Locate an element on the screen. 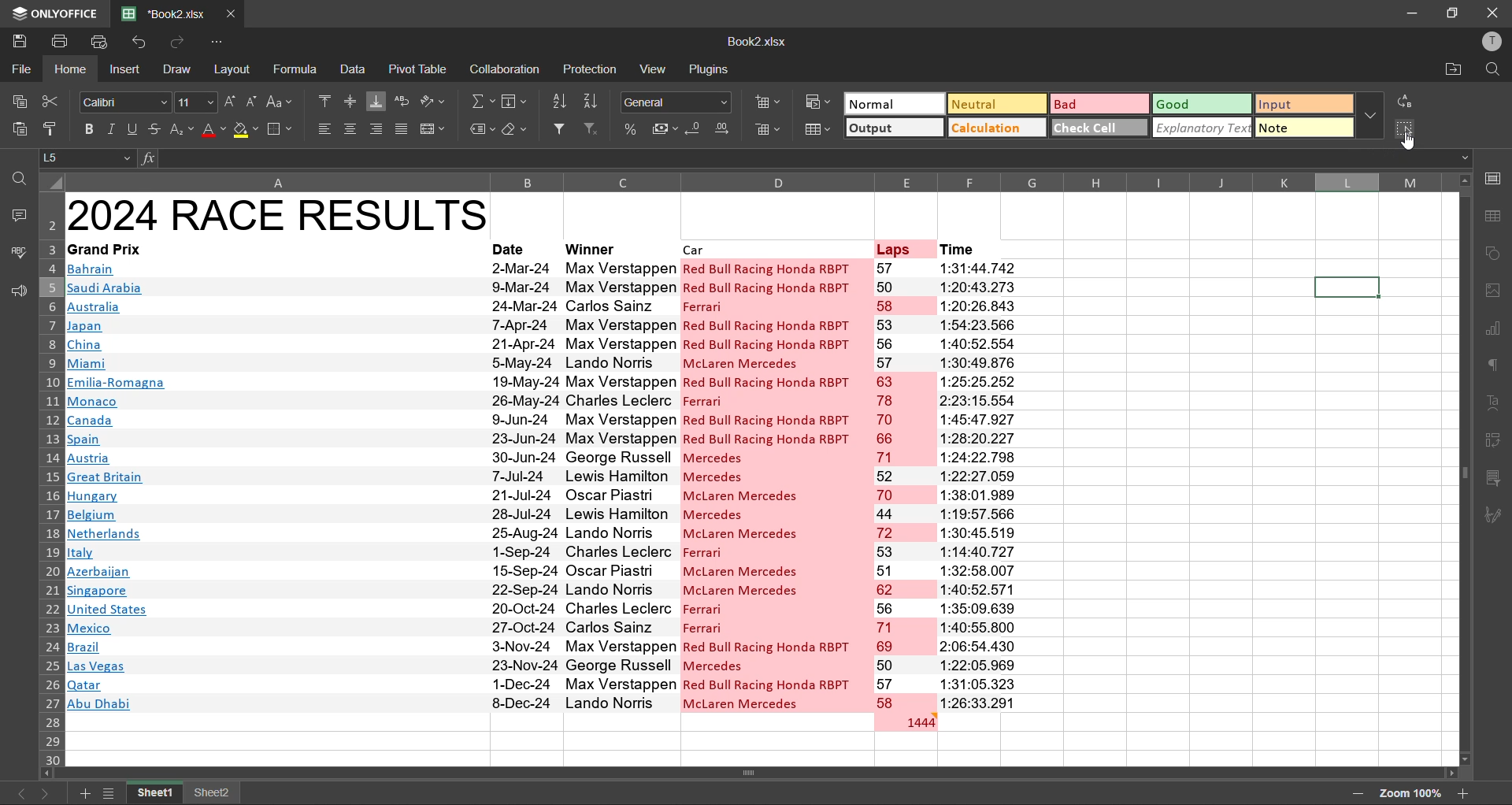  profile is located at coordinates (1489, 43).